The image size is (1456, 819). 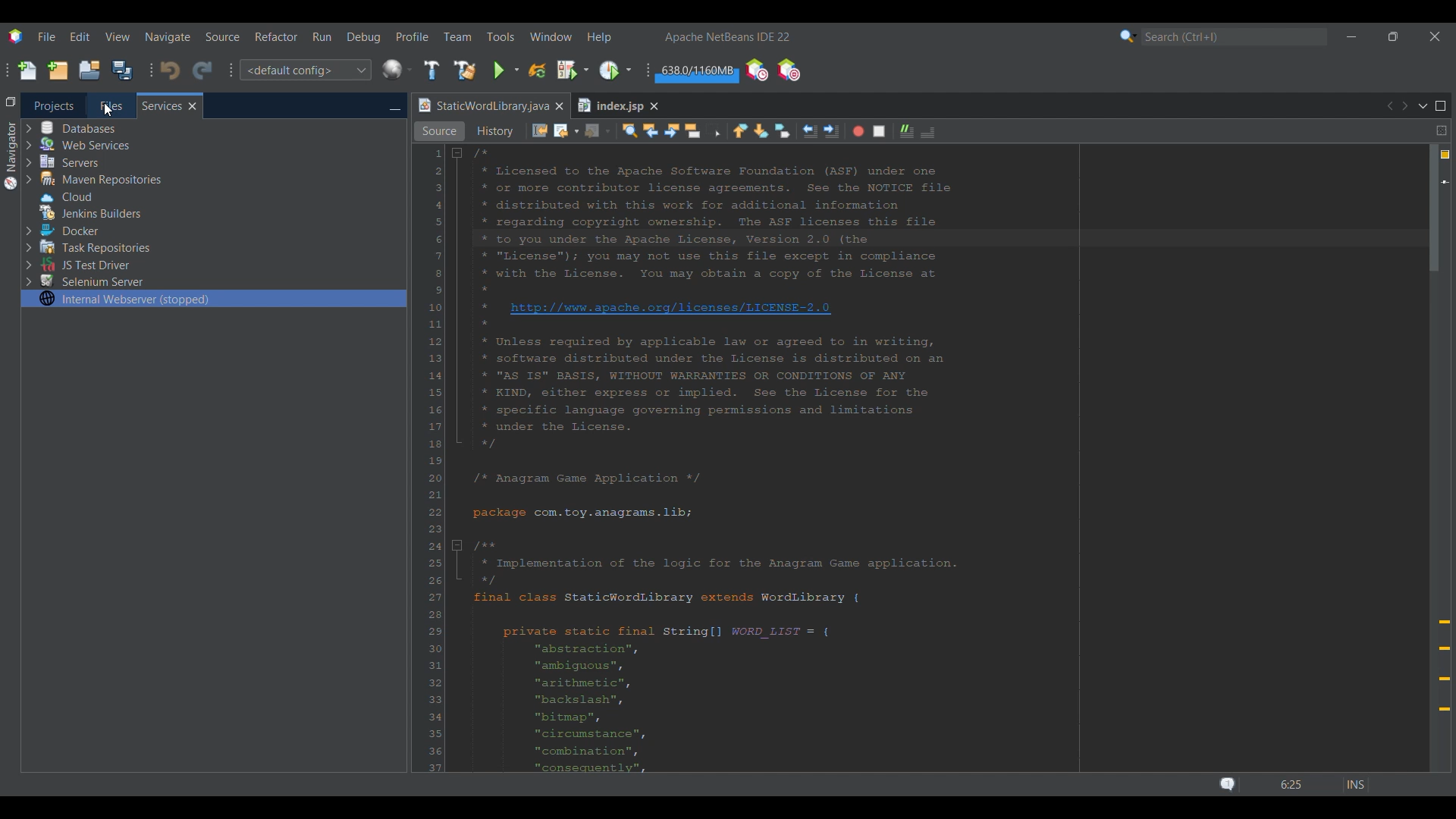 I want to click on Shift line left, so click(x=811, y=131).